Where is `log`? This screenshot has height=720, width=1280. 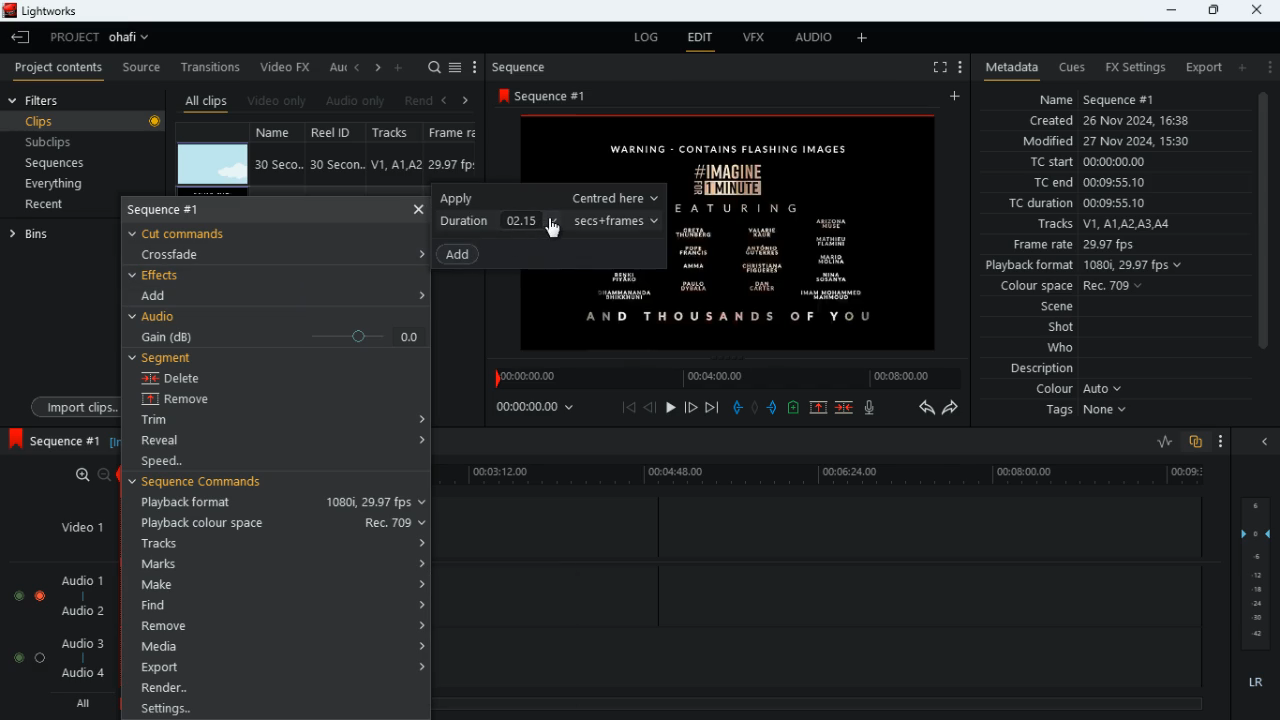 log is located at coordinates (642, 38).